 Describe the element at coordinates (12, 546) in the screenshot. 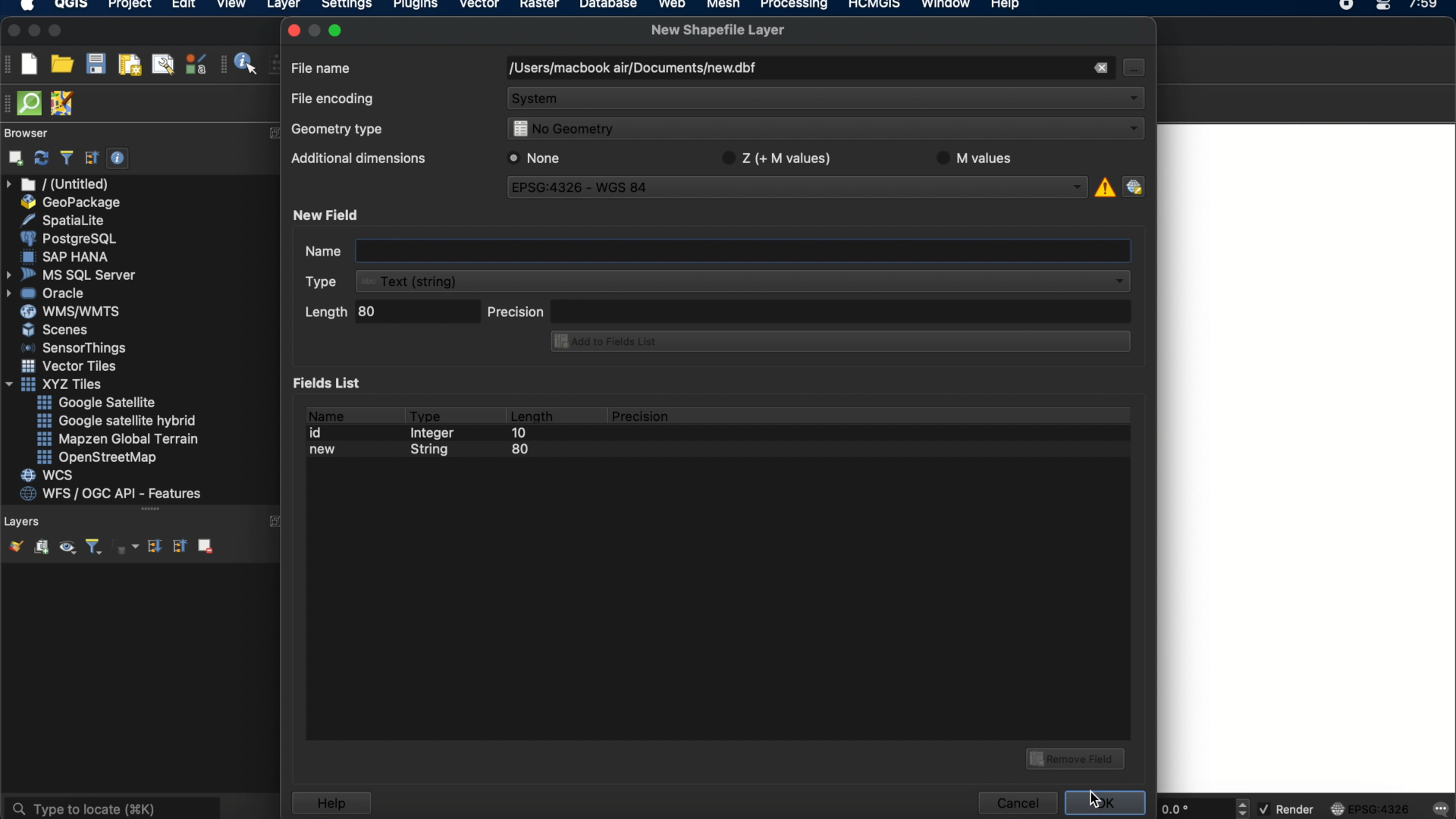

I see `open the layer` at that location.